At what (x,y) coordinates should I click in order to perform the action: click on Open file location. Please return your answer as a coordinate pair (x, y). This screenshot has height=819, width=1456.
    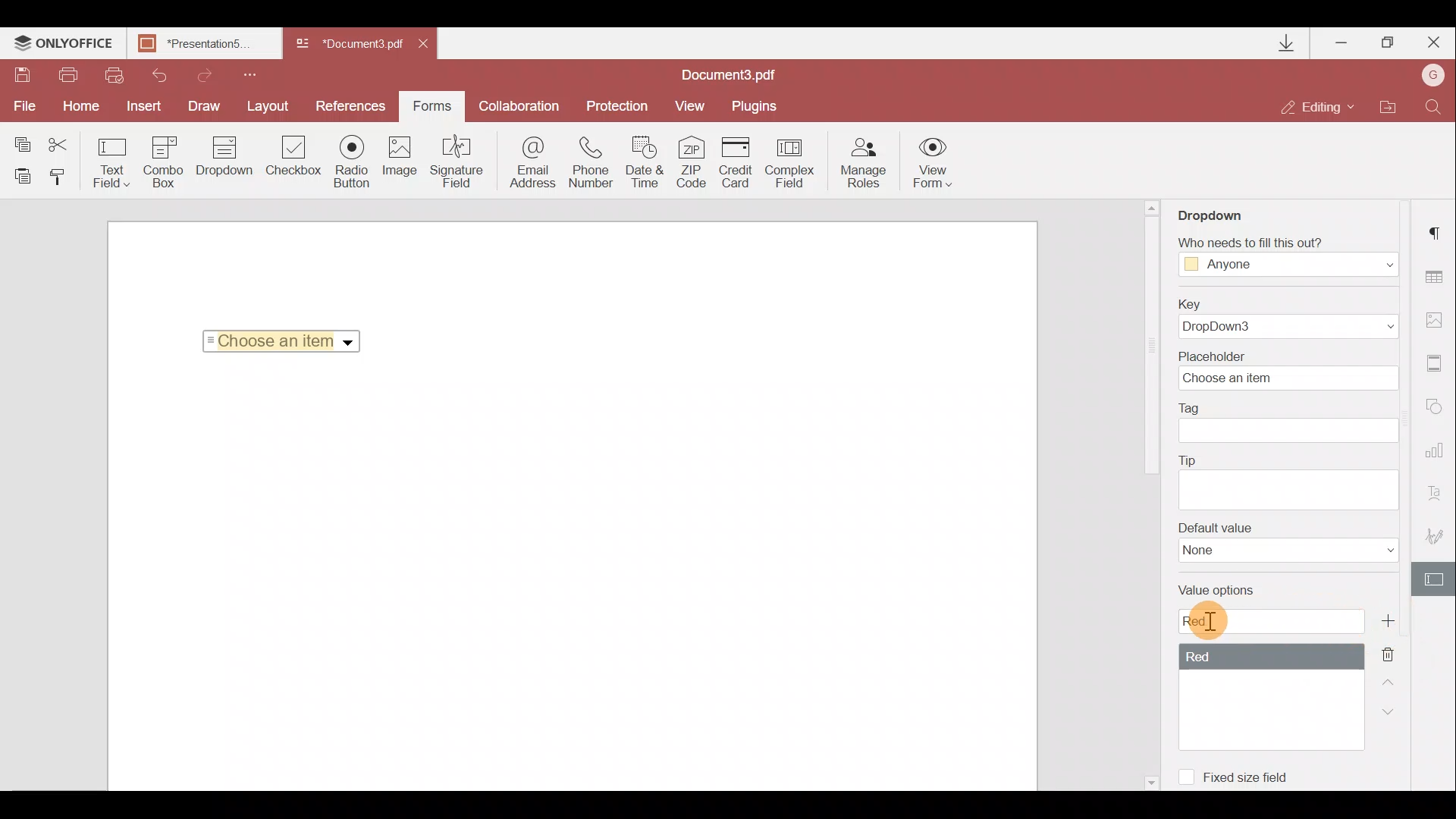
    Looking at the image, I should click on (1389, 106).